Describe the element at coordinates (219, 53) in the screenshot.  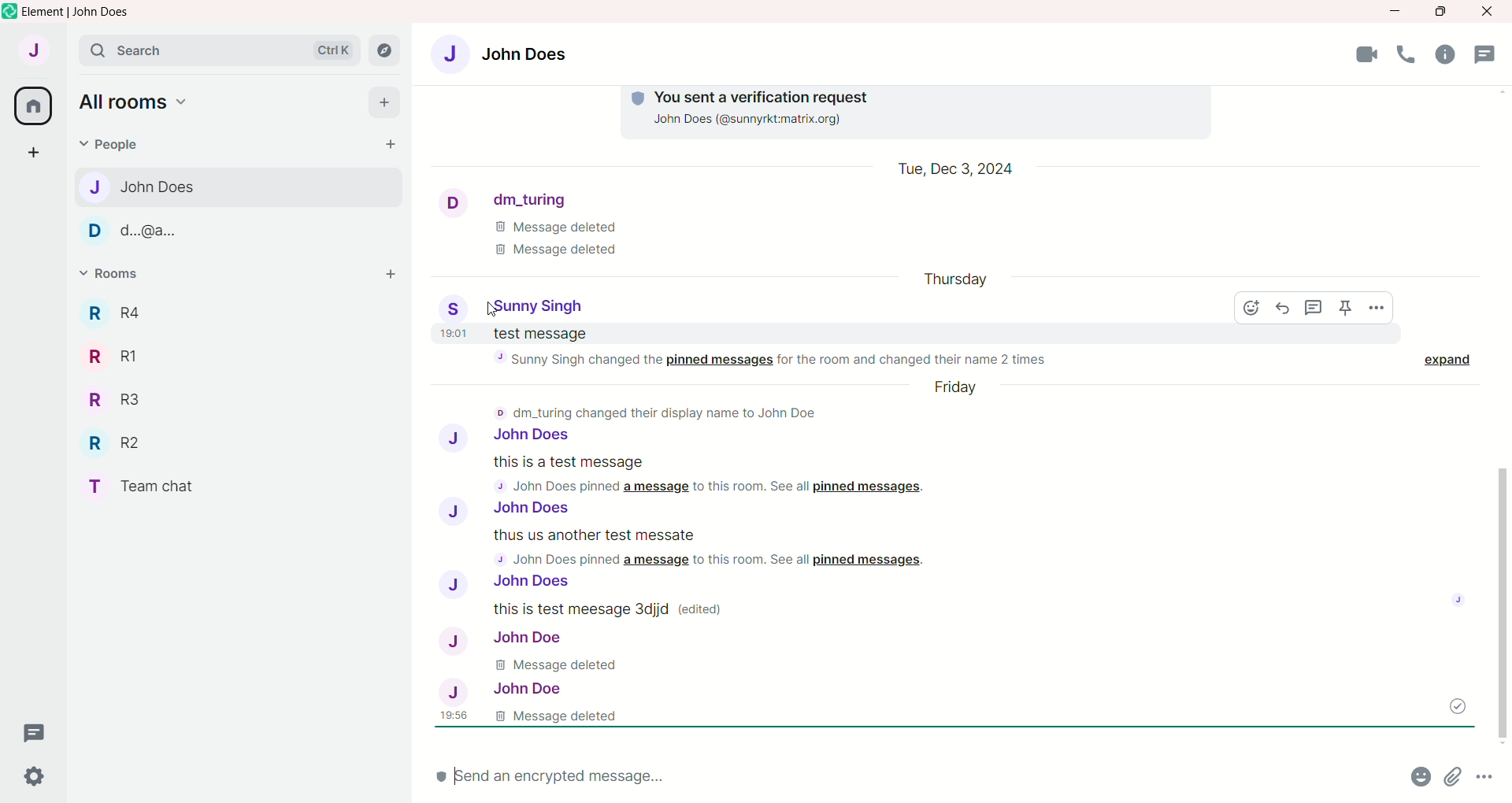
I see `search bar` at that location.